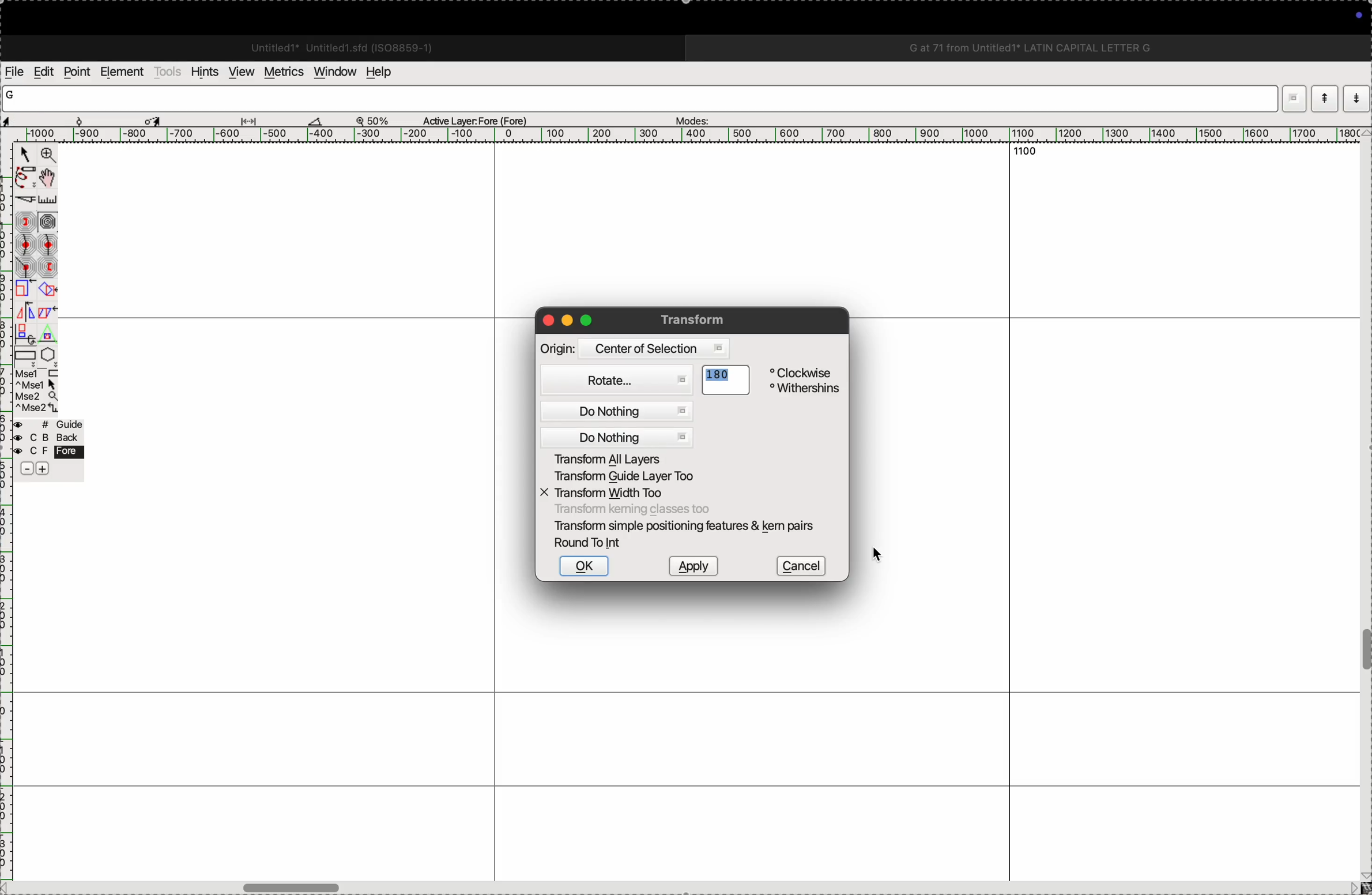  I want to click on word list input, so click(642, 99).